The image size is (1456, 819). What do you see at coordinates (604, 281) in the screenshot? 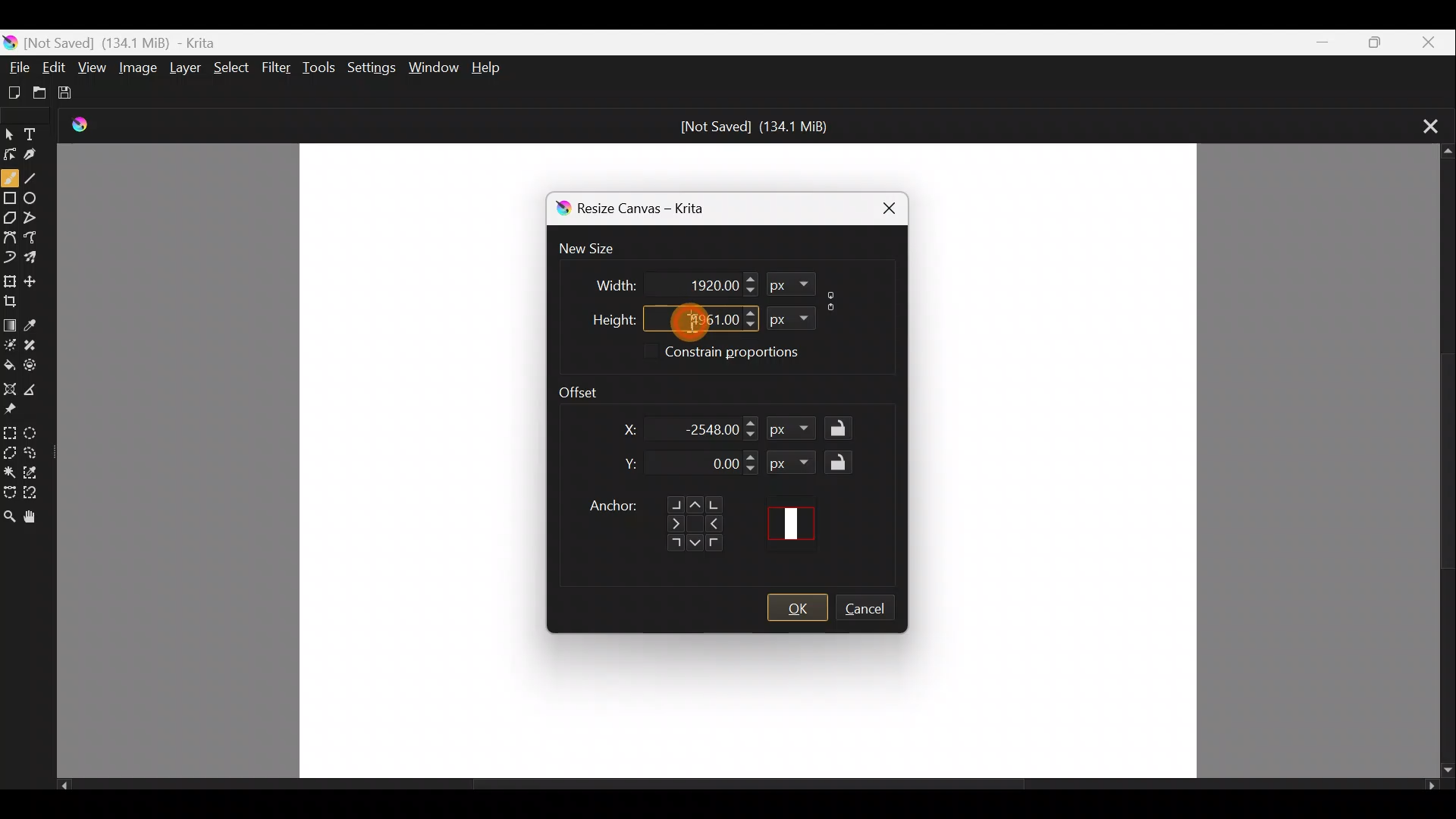
I see `Width` at bounding box center [604, 281].